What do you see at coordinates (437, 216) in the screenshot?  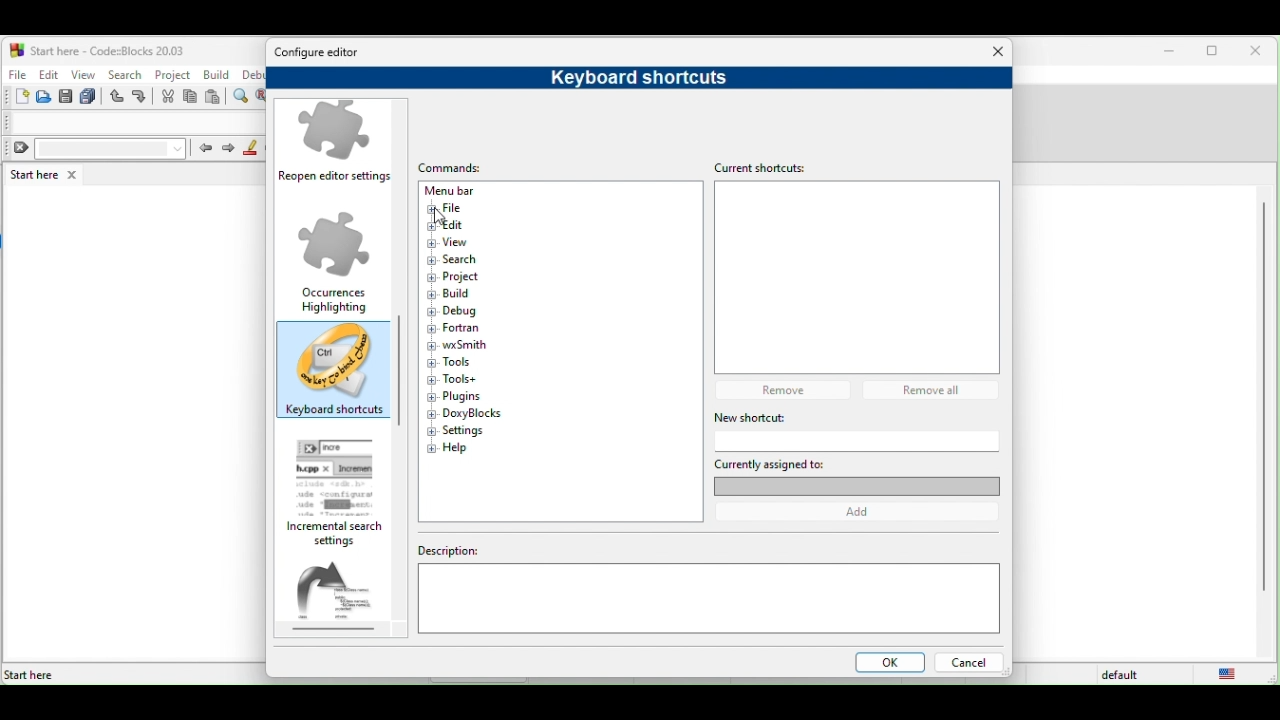 I see `cursor` at bounding box center [437, 216].